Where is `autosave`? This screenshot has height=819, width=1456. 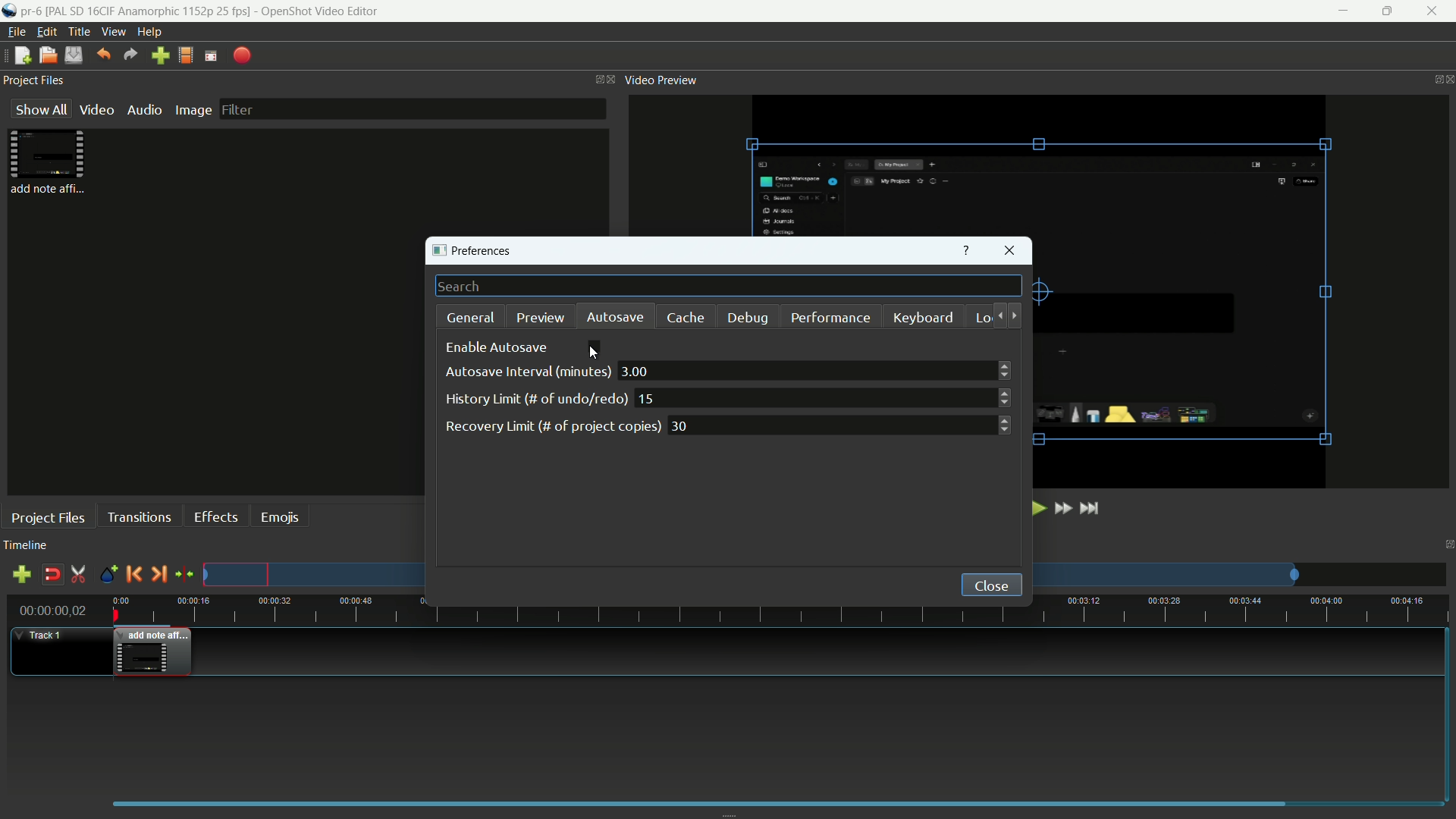
autosave is located at coordinates (616, 318).